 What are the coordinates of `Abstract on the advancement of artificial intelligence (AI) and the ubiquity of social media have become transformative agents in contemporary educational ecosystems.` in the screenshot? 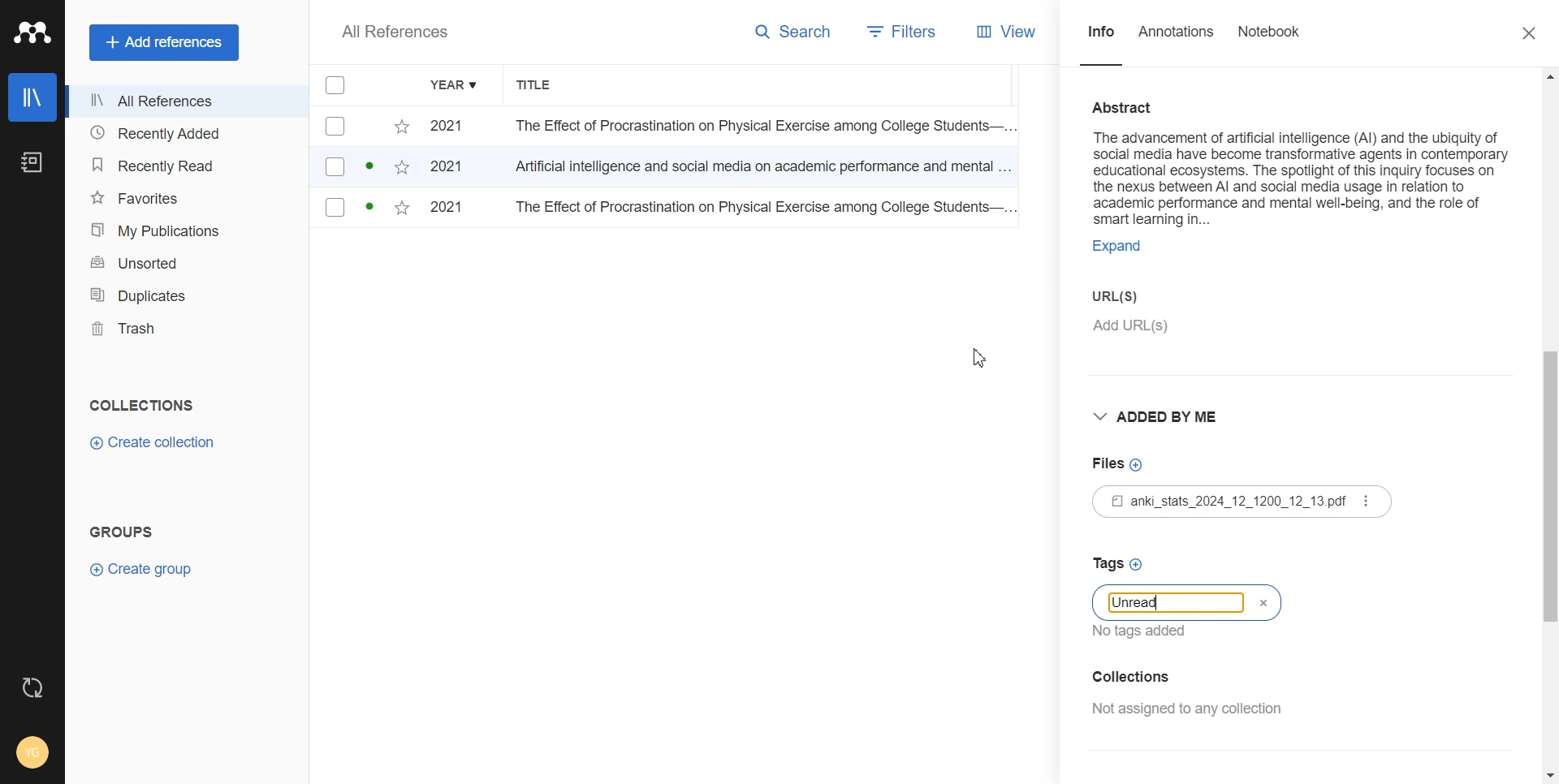 It's located at (1301, 157).